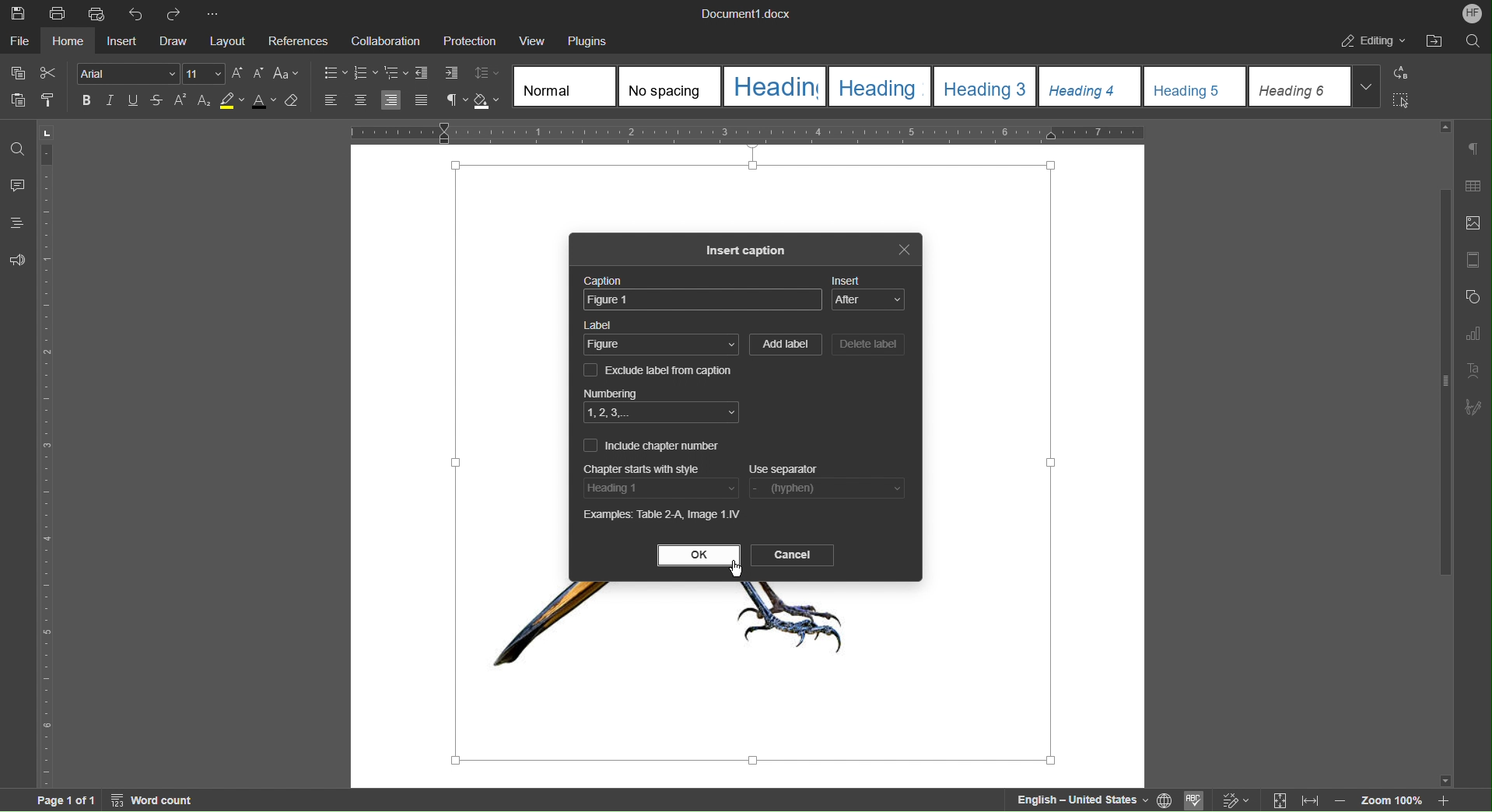  What do you see at coordinates (702, 300) in the screenshot?
I see `Figure 1` at bounding box center [702, 300].